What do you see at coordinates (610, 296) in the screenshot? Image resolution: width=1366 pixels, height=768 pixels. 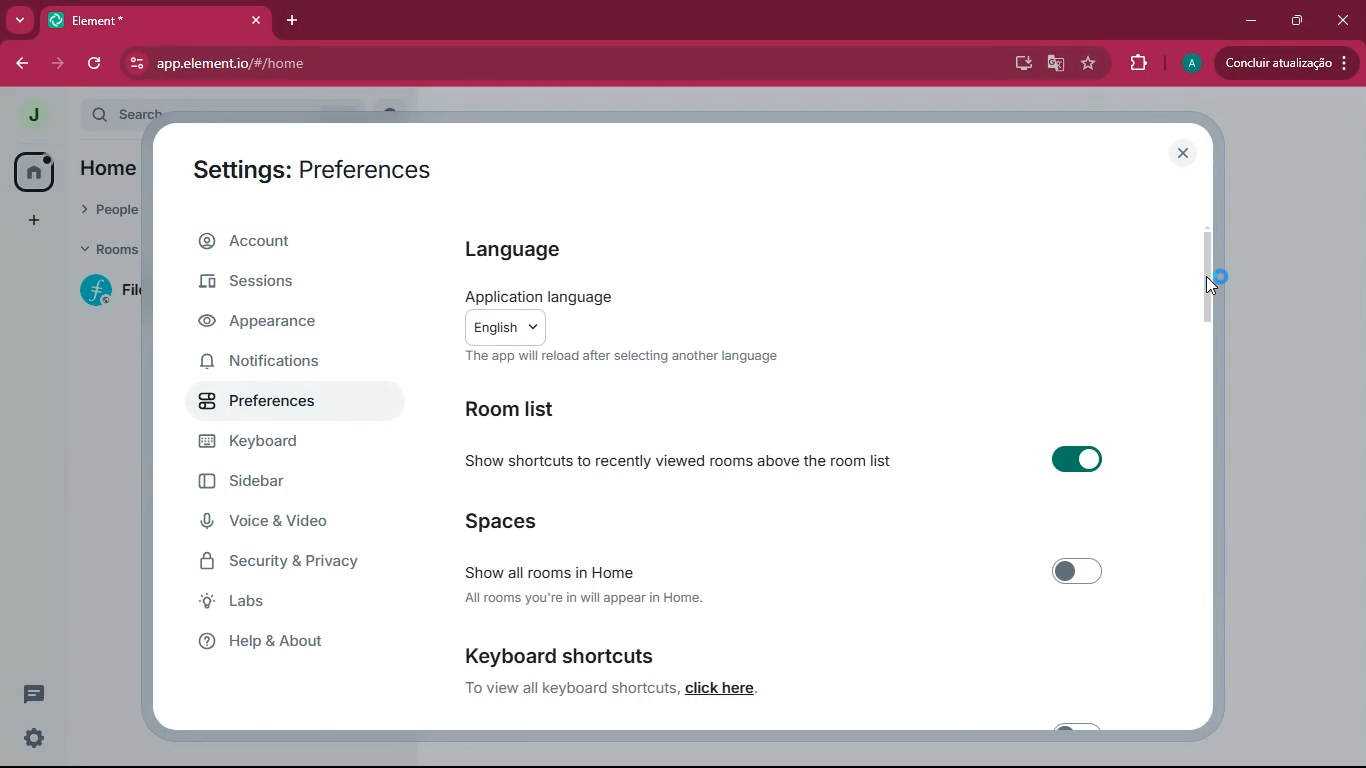 I see `application language` at bounding box center [610, 296].